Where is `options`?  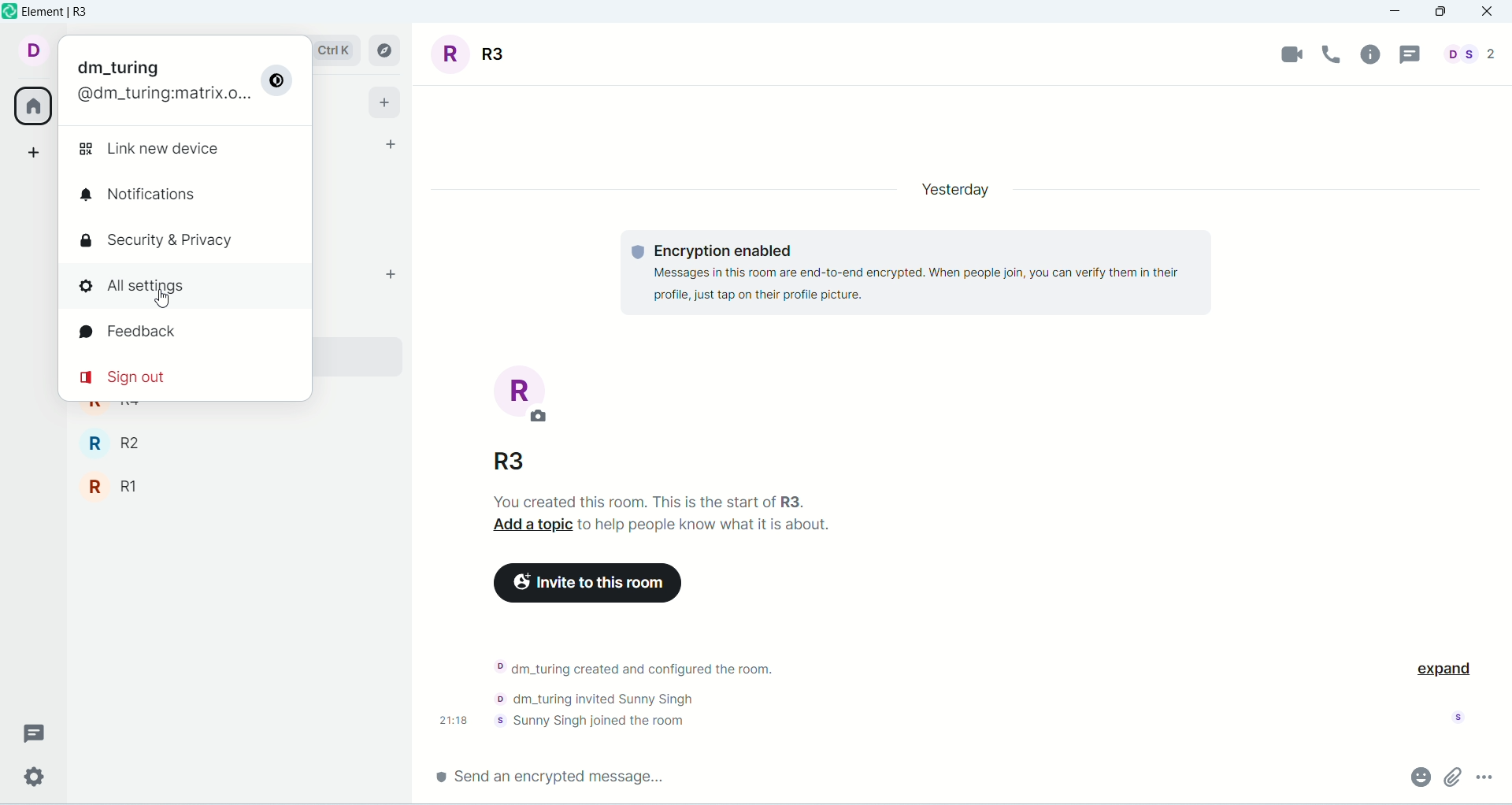 options is located at coordinates (1483, 775).